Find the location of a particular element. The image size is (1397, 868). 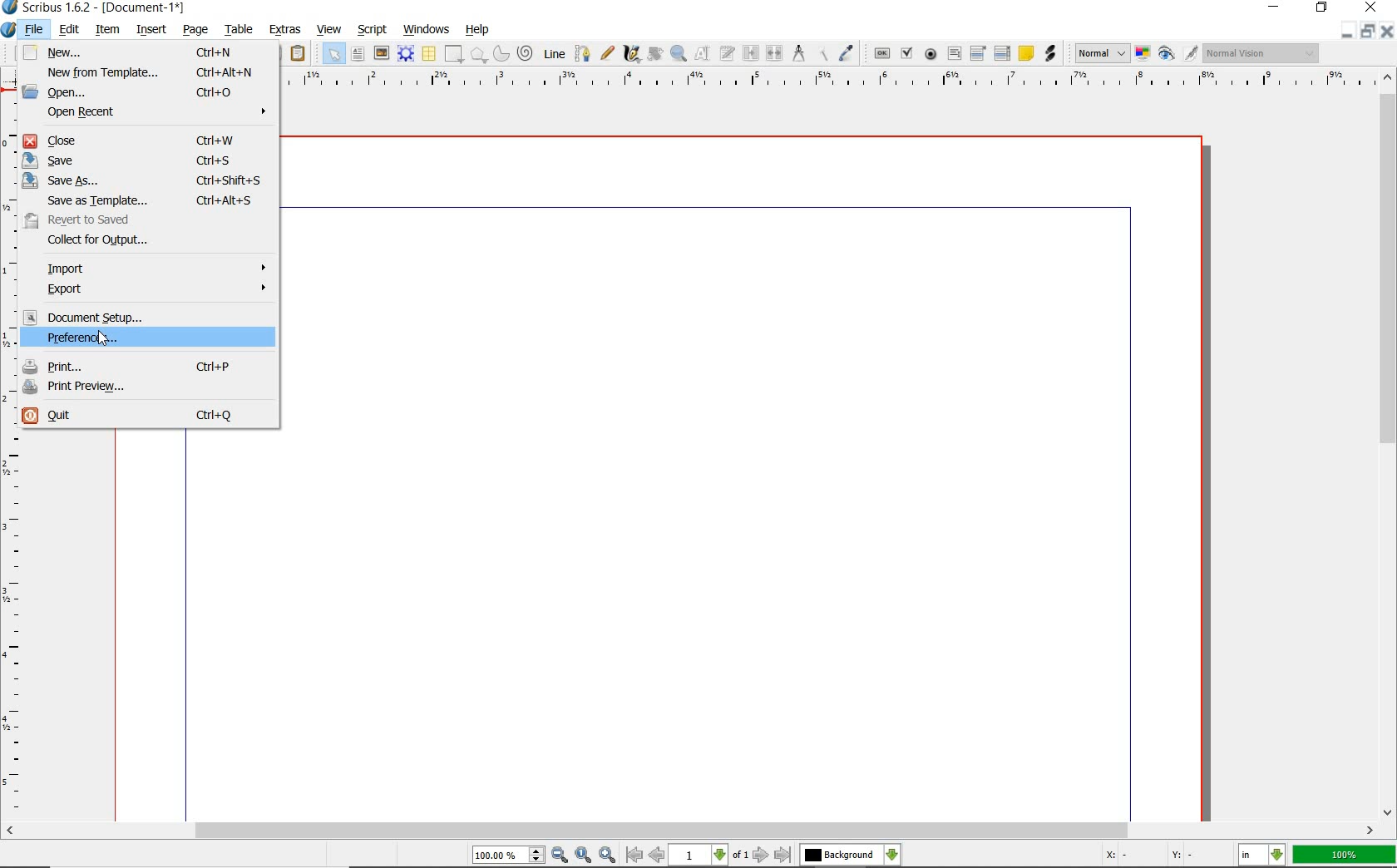

pdf text field is located at coordinates (954, 53).